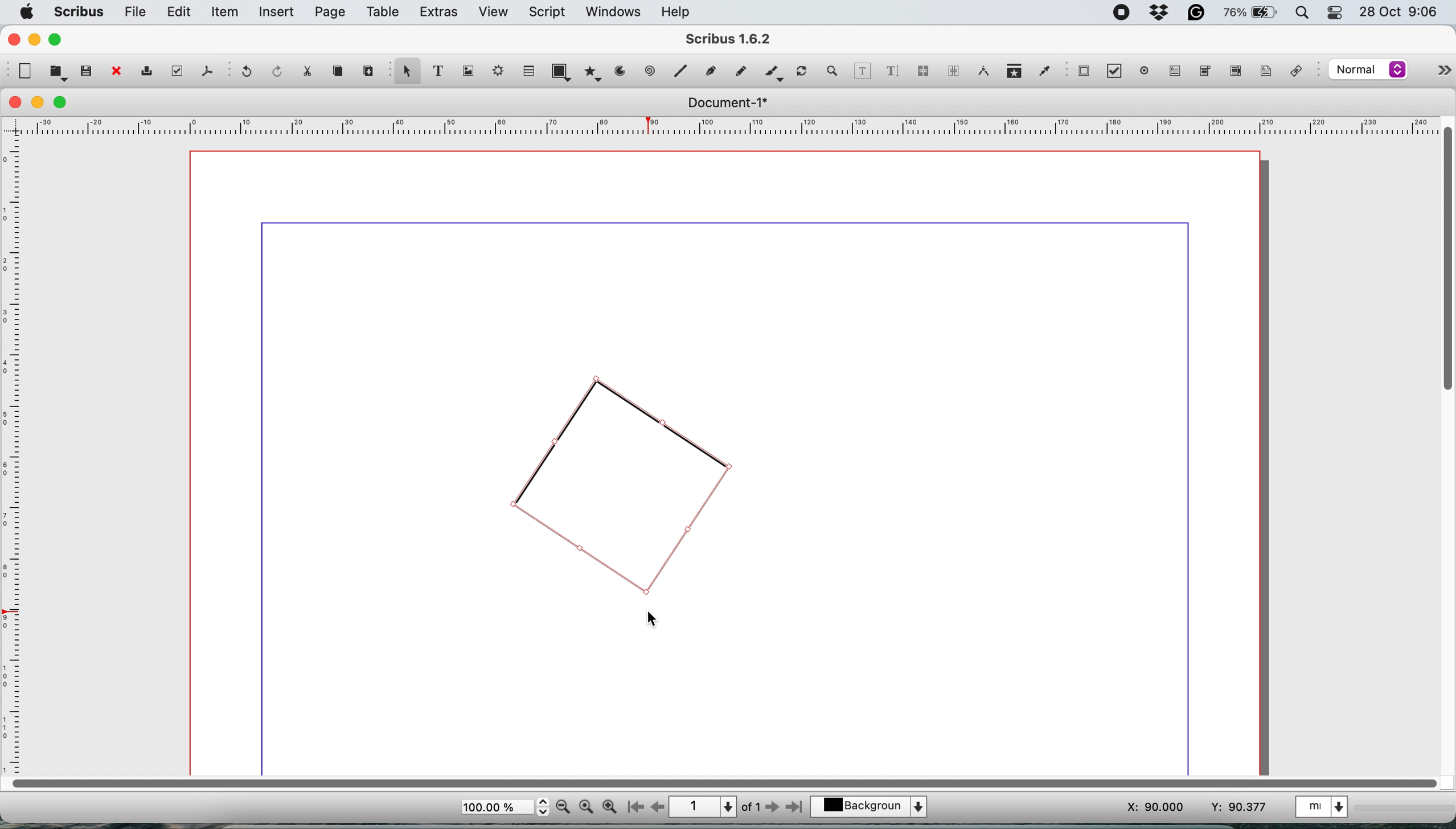  I want to click on pdf combo box, so click(1204, 70).